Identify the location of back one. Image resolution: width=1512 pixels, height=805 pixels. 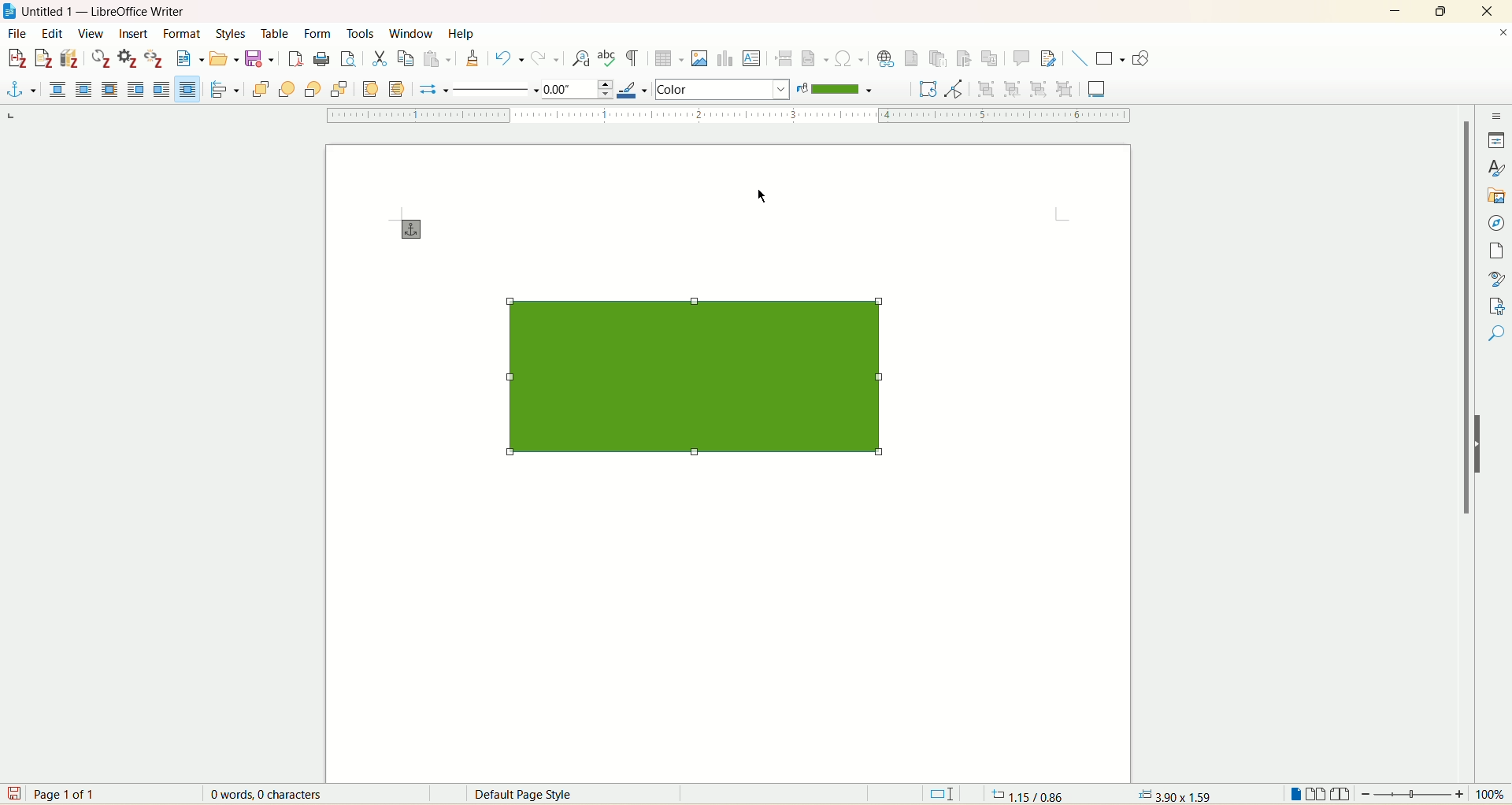
(313, 89).